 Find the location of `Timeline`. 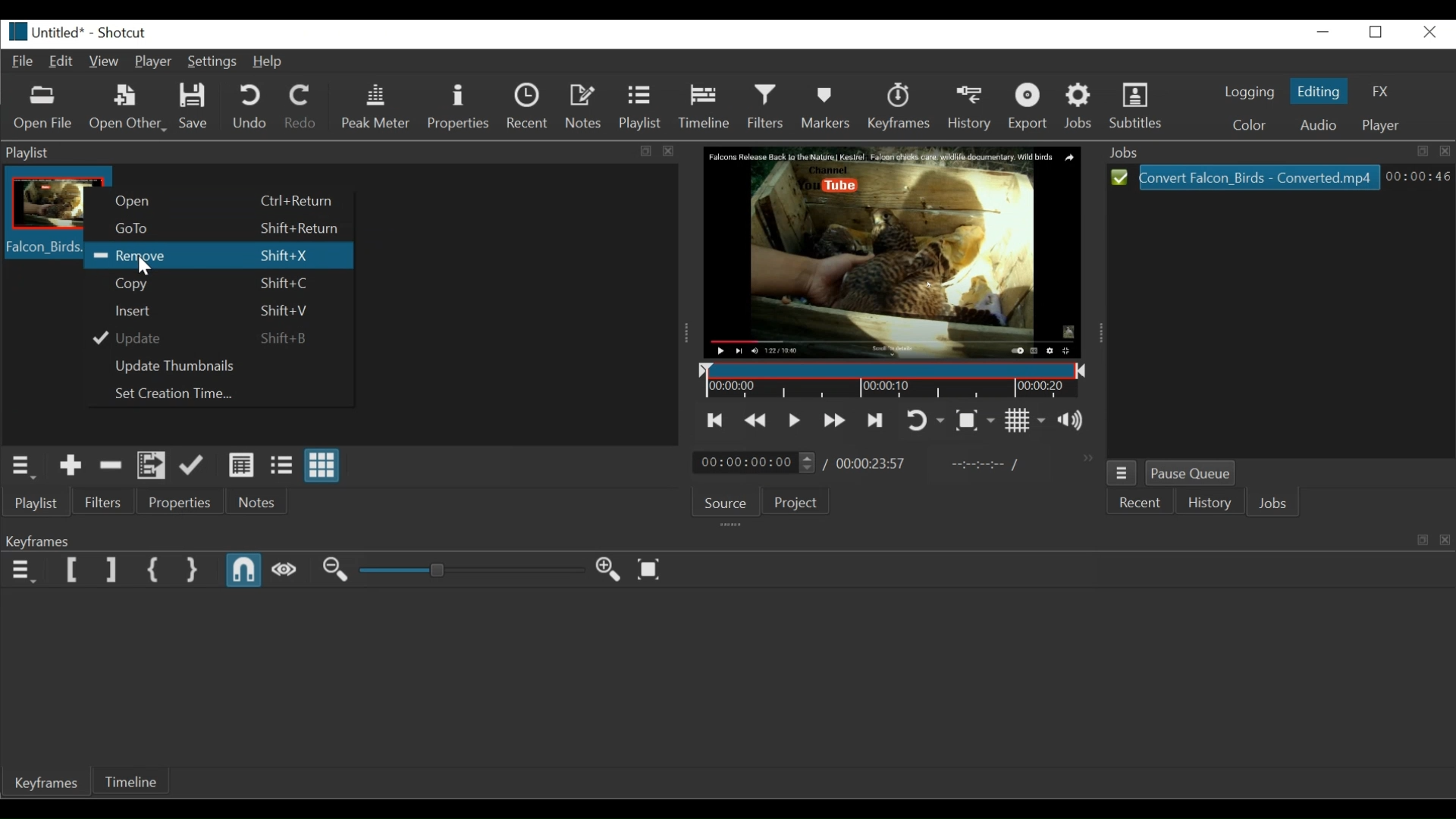

Timeline is located at coordinates (141, 781).